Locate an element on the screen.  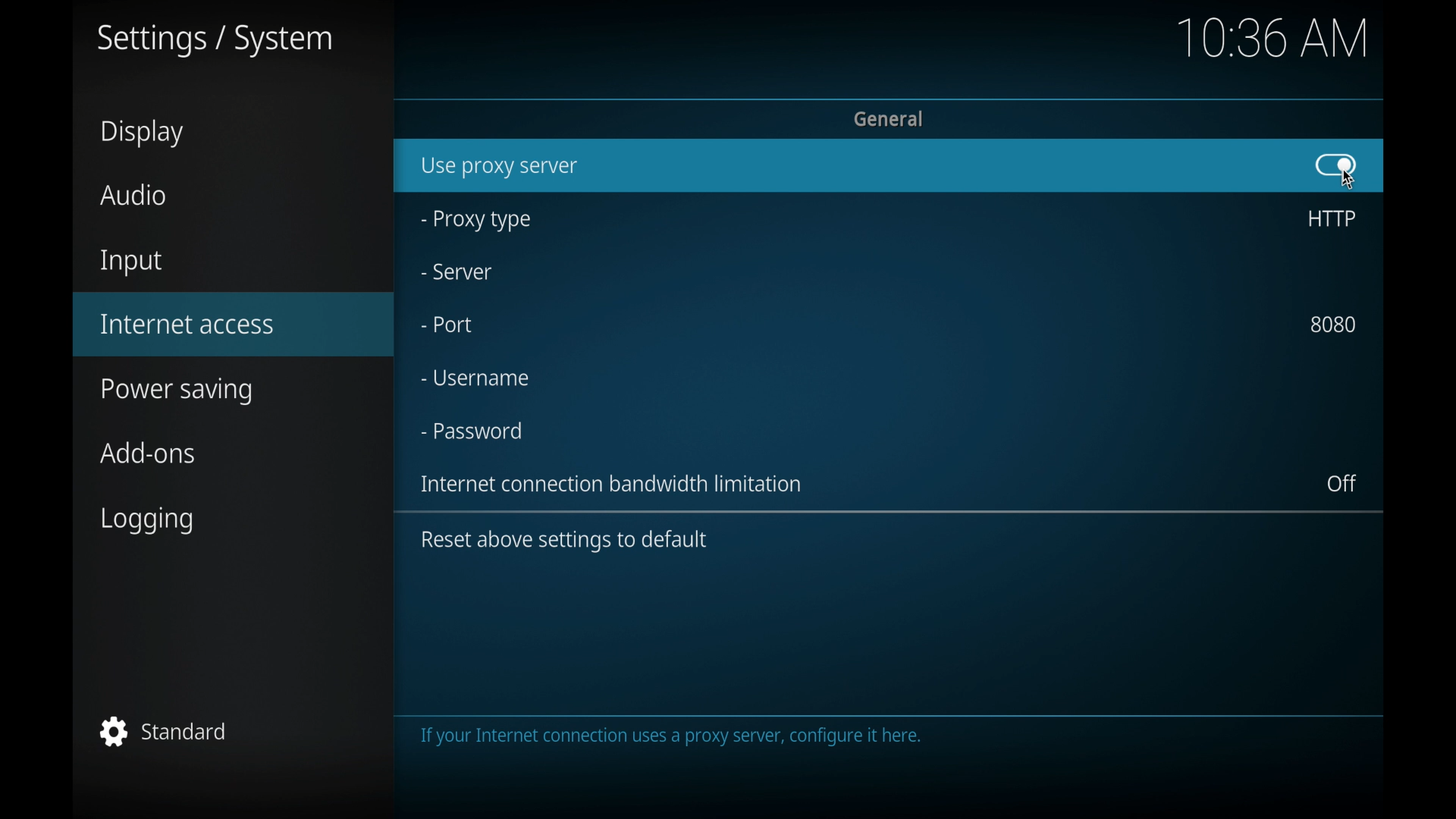
logging is located at coordinates (149, 521).